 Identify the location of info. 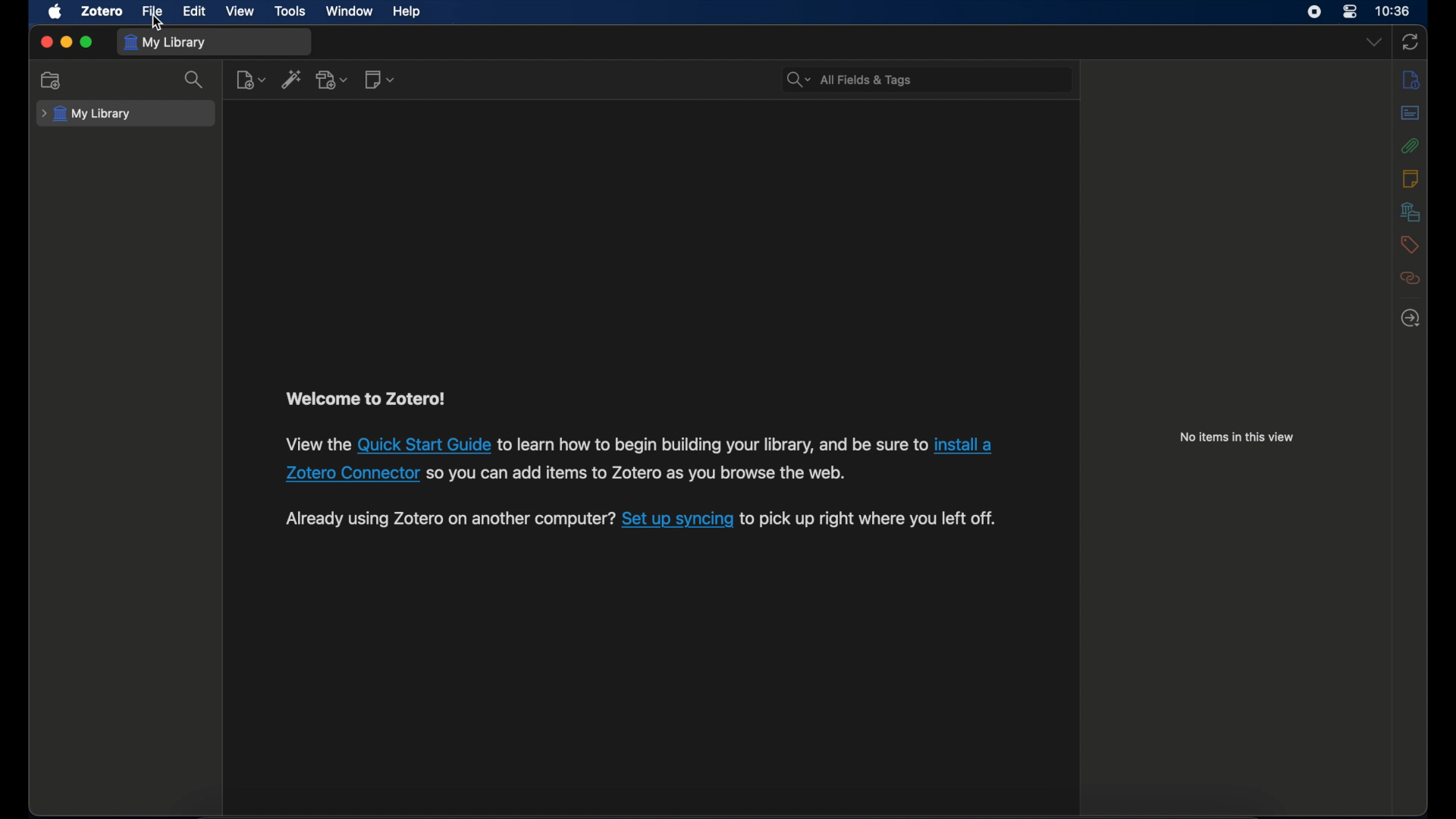
(1410, 81).